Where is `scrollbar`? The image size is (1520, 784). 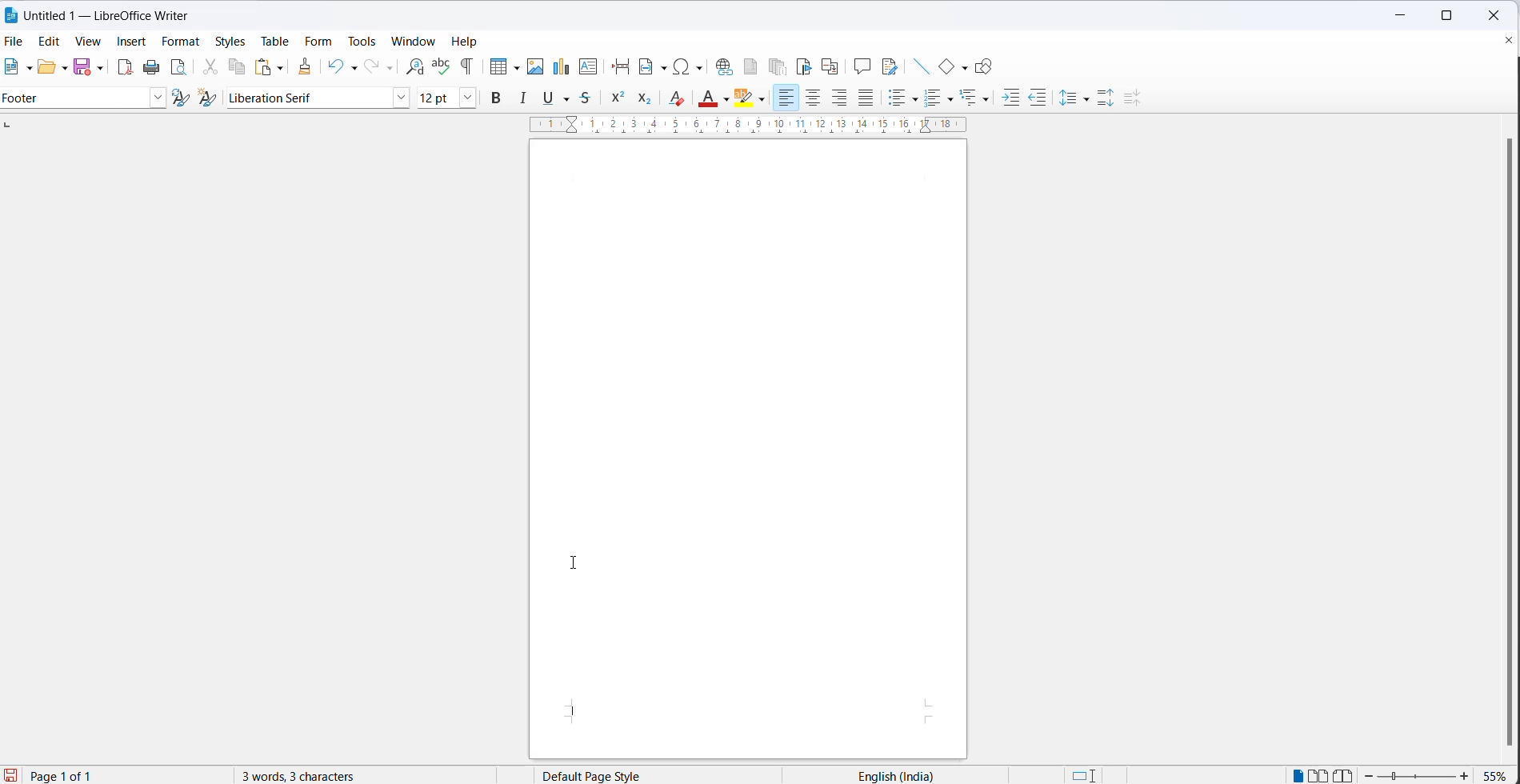 scrollbar is located at coordinates (1493, 437).